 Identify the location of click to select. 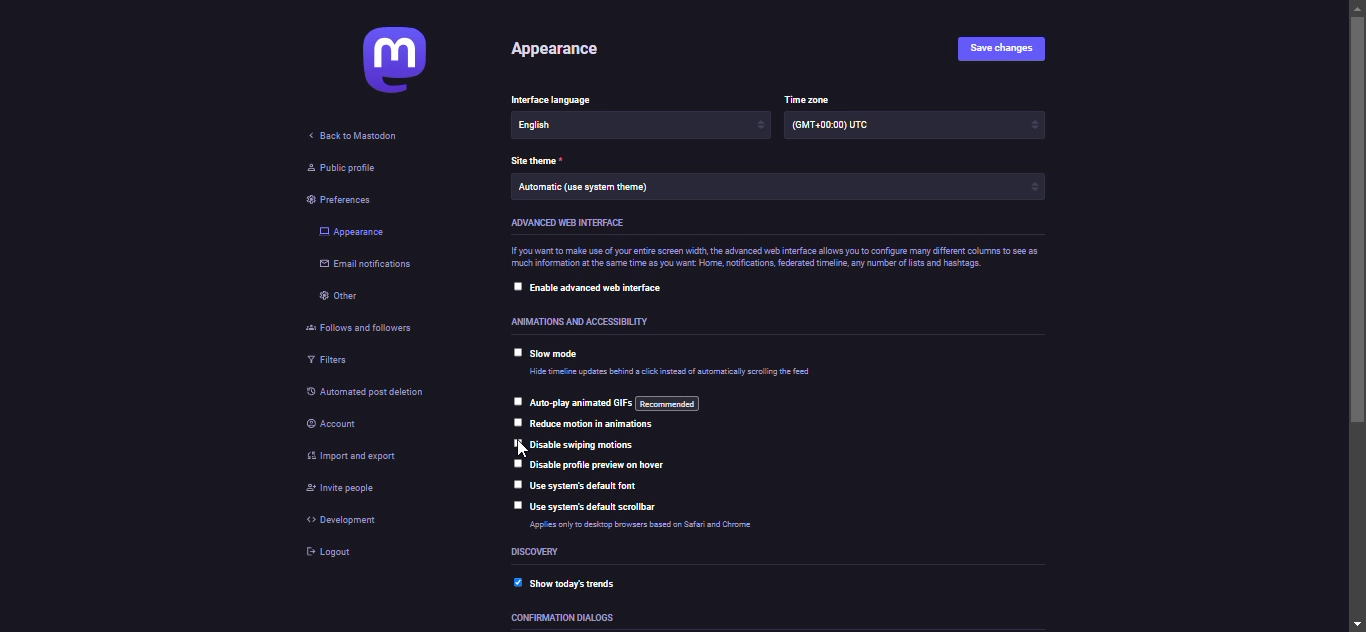
(513, 421).